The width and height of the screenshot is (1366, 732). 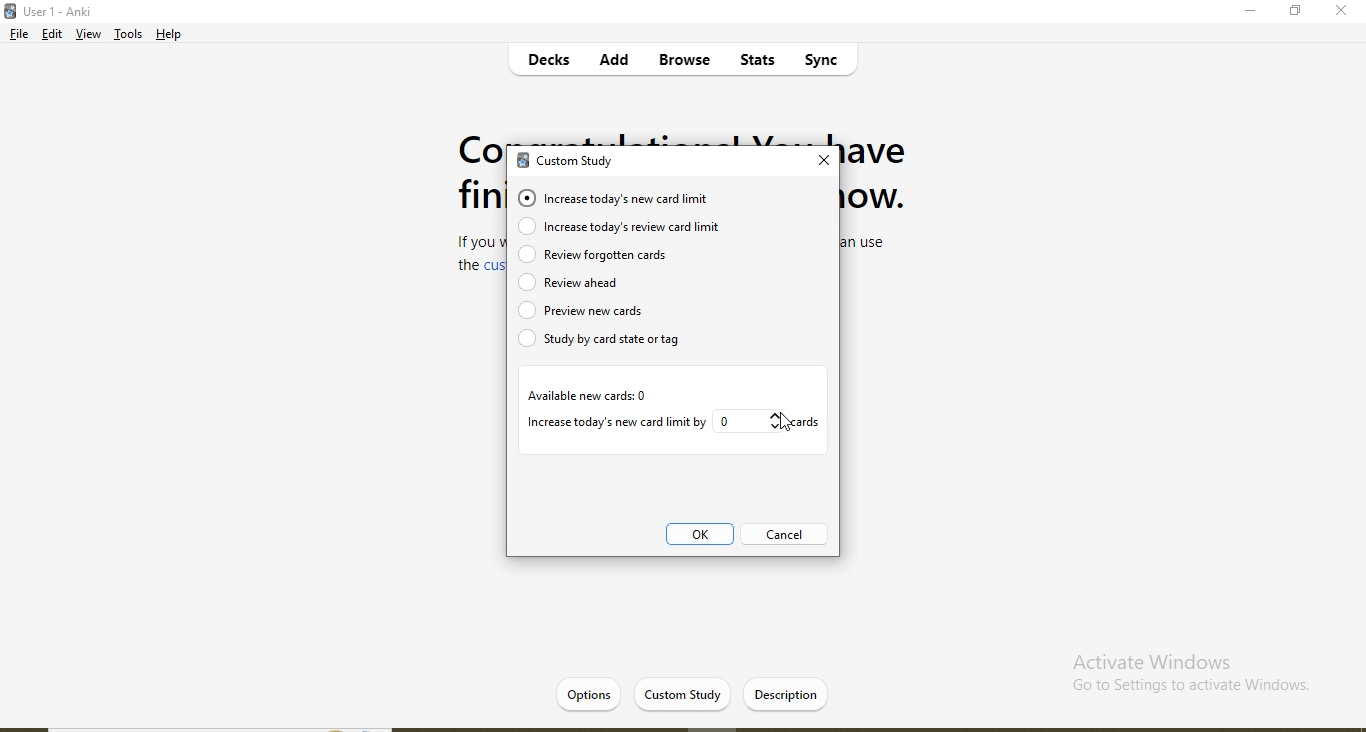 What do you see at coordinates (53, 36) in the screenshot?
I see `edit` at bounding box center [53, 36].